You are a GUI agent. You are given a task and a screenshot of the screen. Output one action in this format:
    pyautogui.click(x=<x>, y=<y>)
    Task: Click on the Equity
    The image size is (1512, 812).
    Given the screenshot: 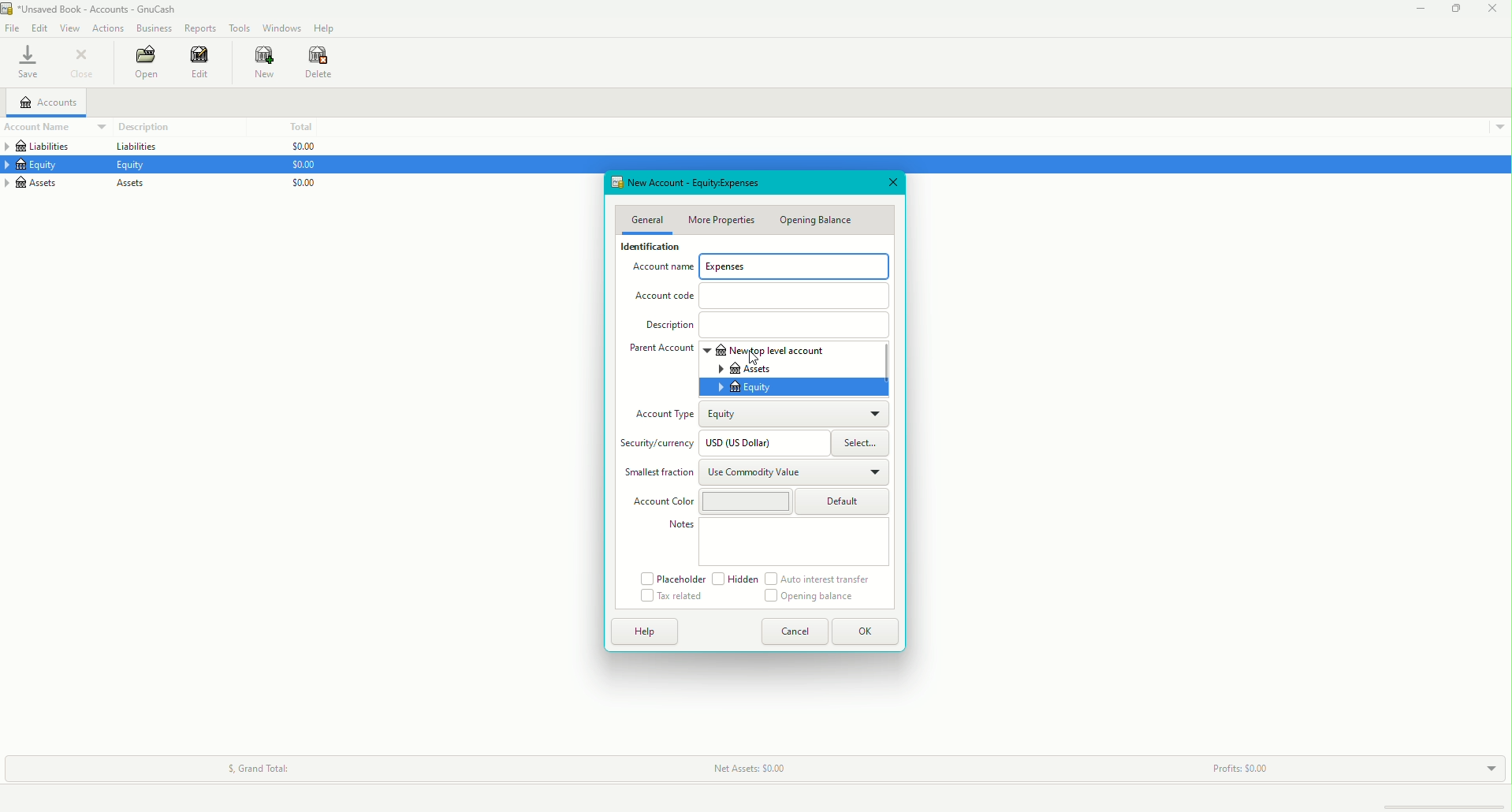 What is the action you would take?
    pyautogui.click(x=798, y=415)
    